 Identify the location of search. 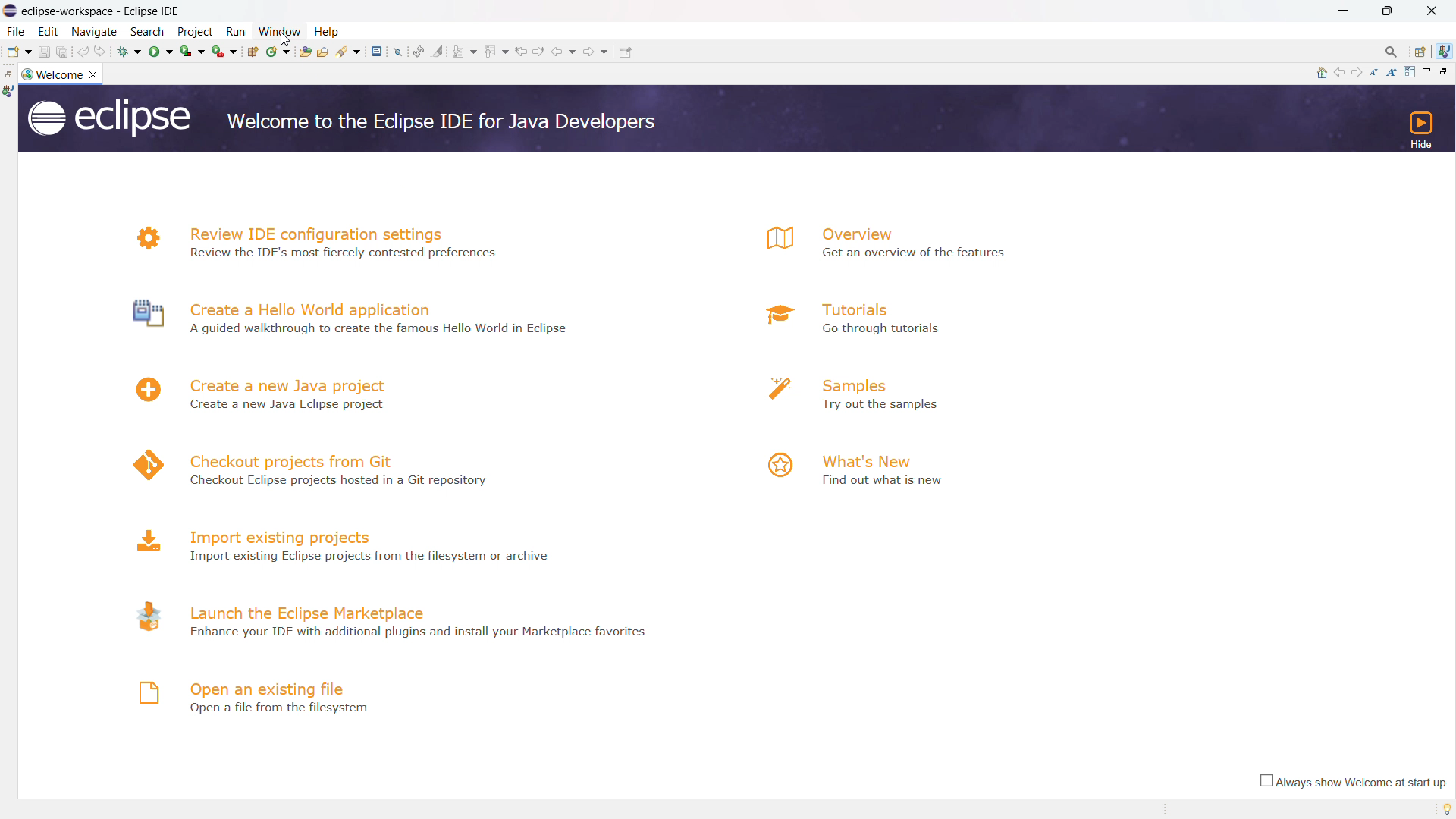
(348, 52).